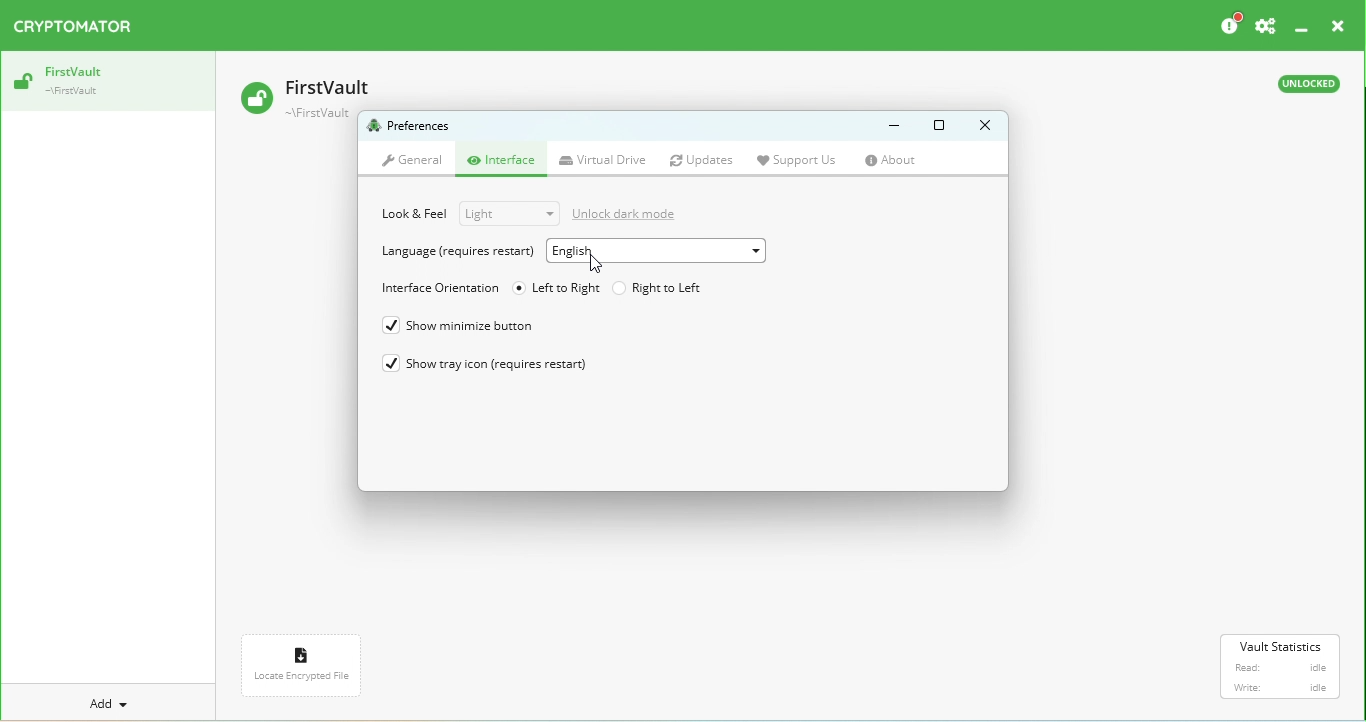 The height and width of the screenshot is (722, 1366). Describe the element at coordinates (557, 287) in the screenshot. I see `Left to right` at that location.